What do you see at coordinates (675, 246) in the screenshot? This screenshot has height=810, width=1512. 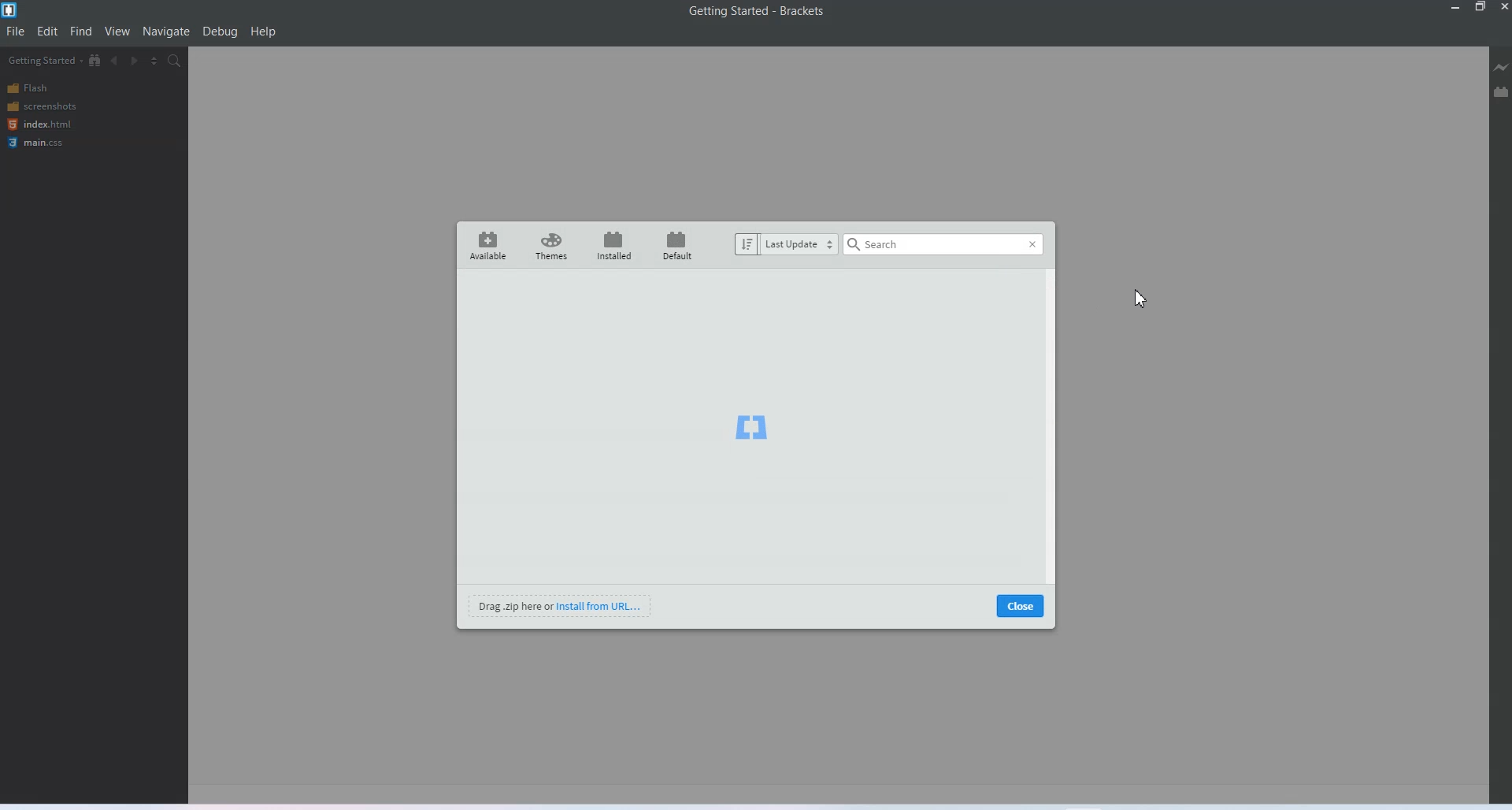 I see `Default` at bounding box center [675, 246].